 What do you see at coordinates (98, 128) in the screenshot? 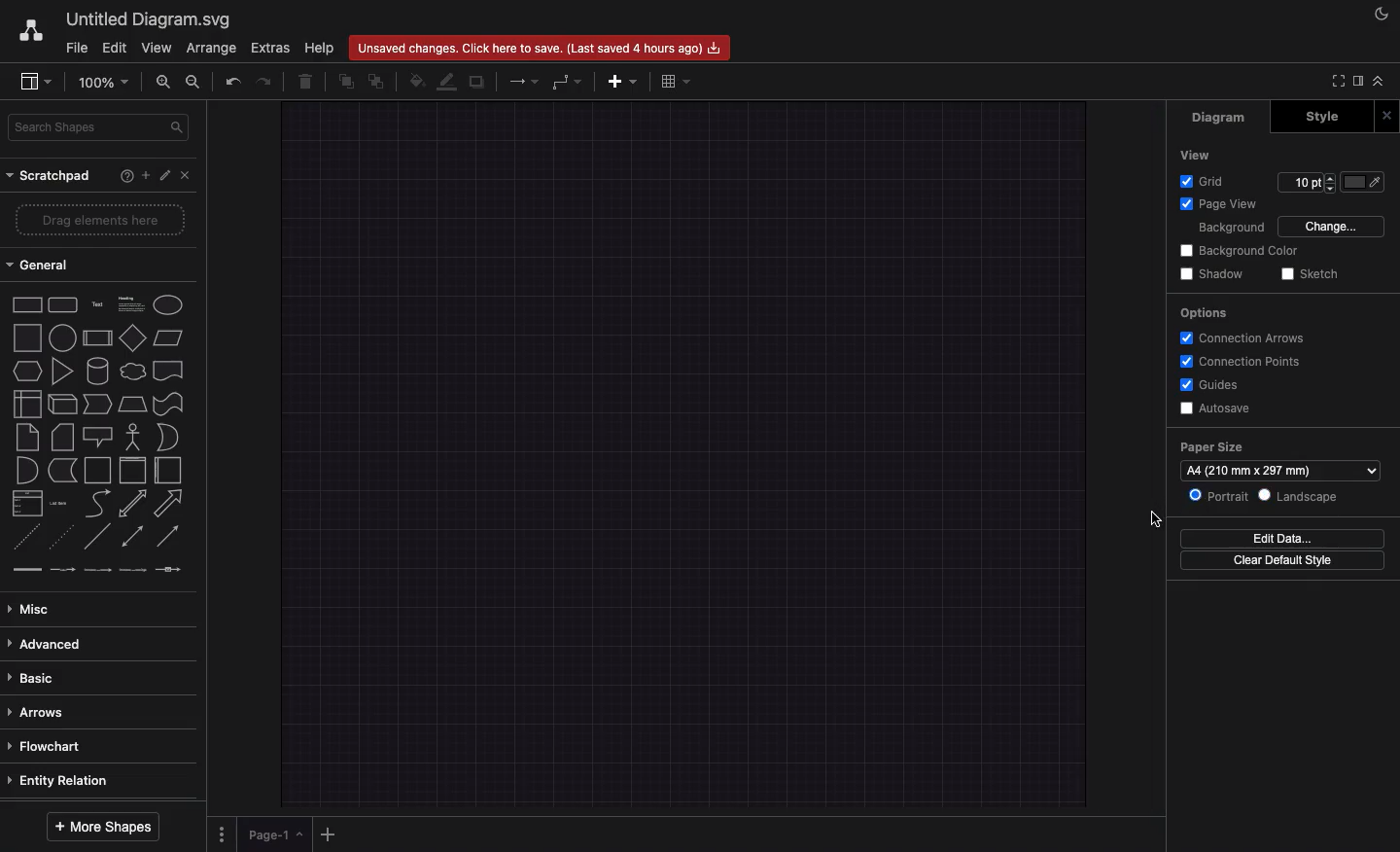
I see `Search shapes` at bounding box center [98, 128].